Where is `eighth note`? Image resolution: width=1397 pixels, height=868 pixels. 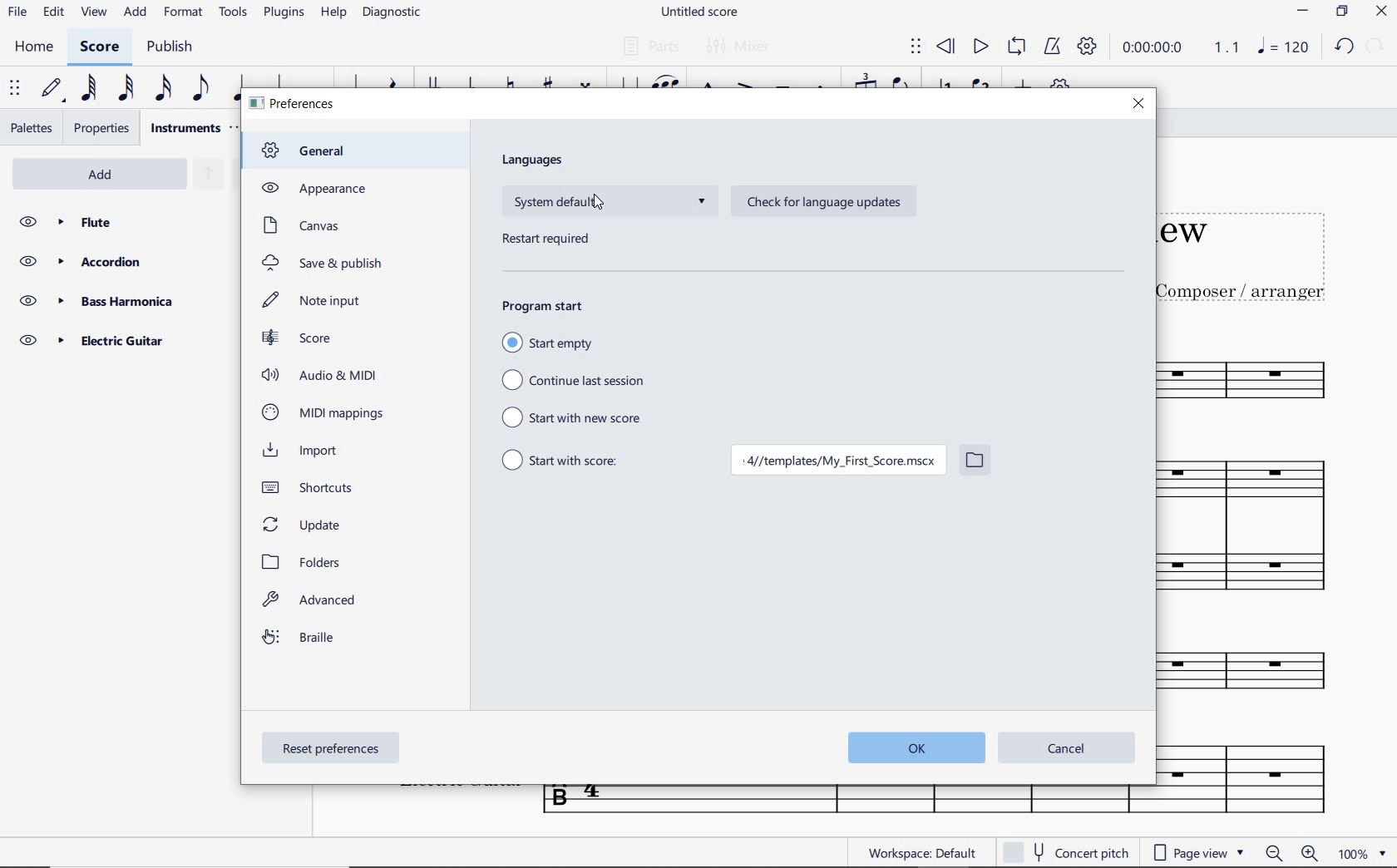 eighth note is located at coordinates (199, 89).